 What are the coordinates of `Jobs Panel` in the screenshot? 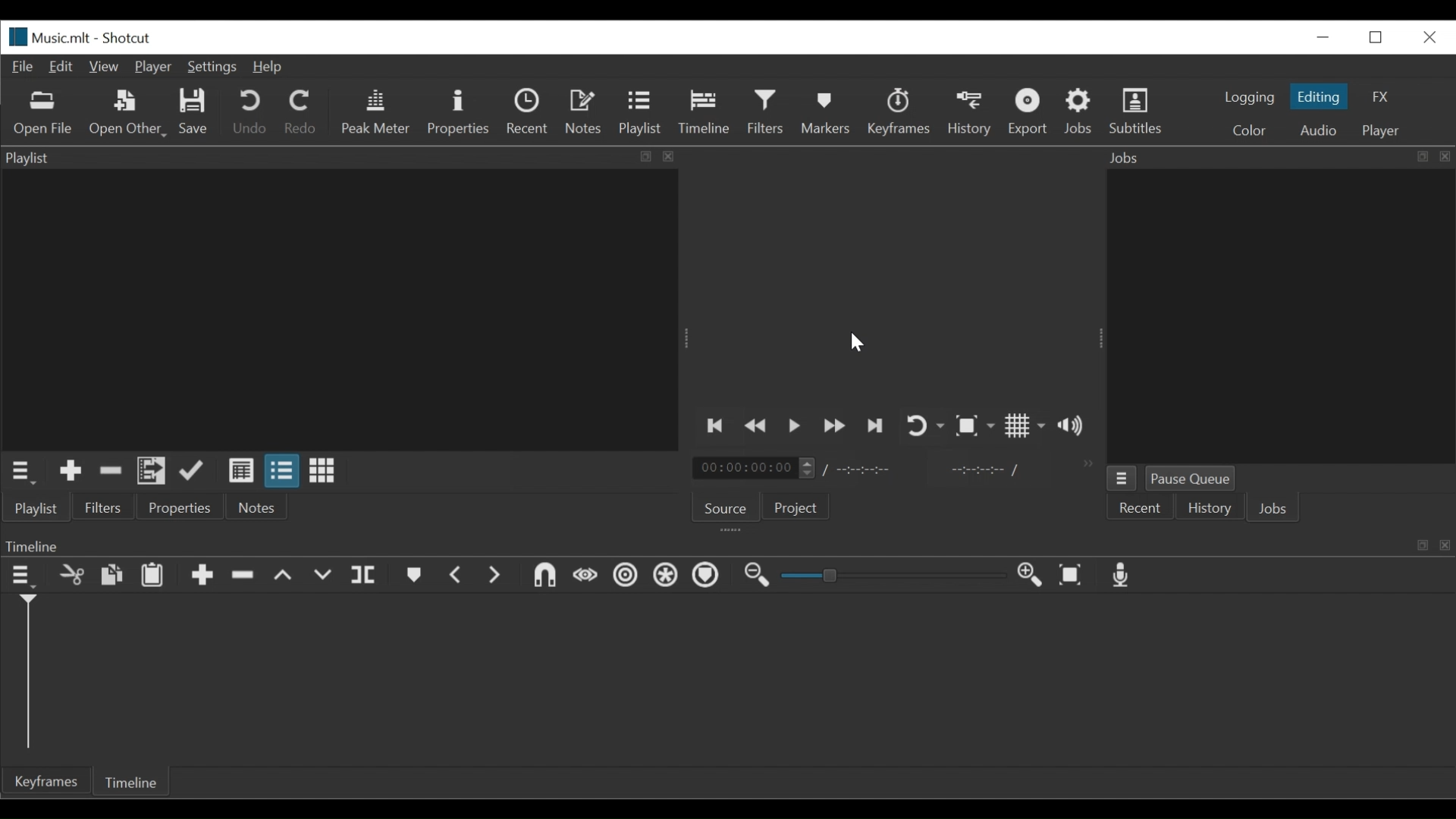 It's located at (1279, 158).